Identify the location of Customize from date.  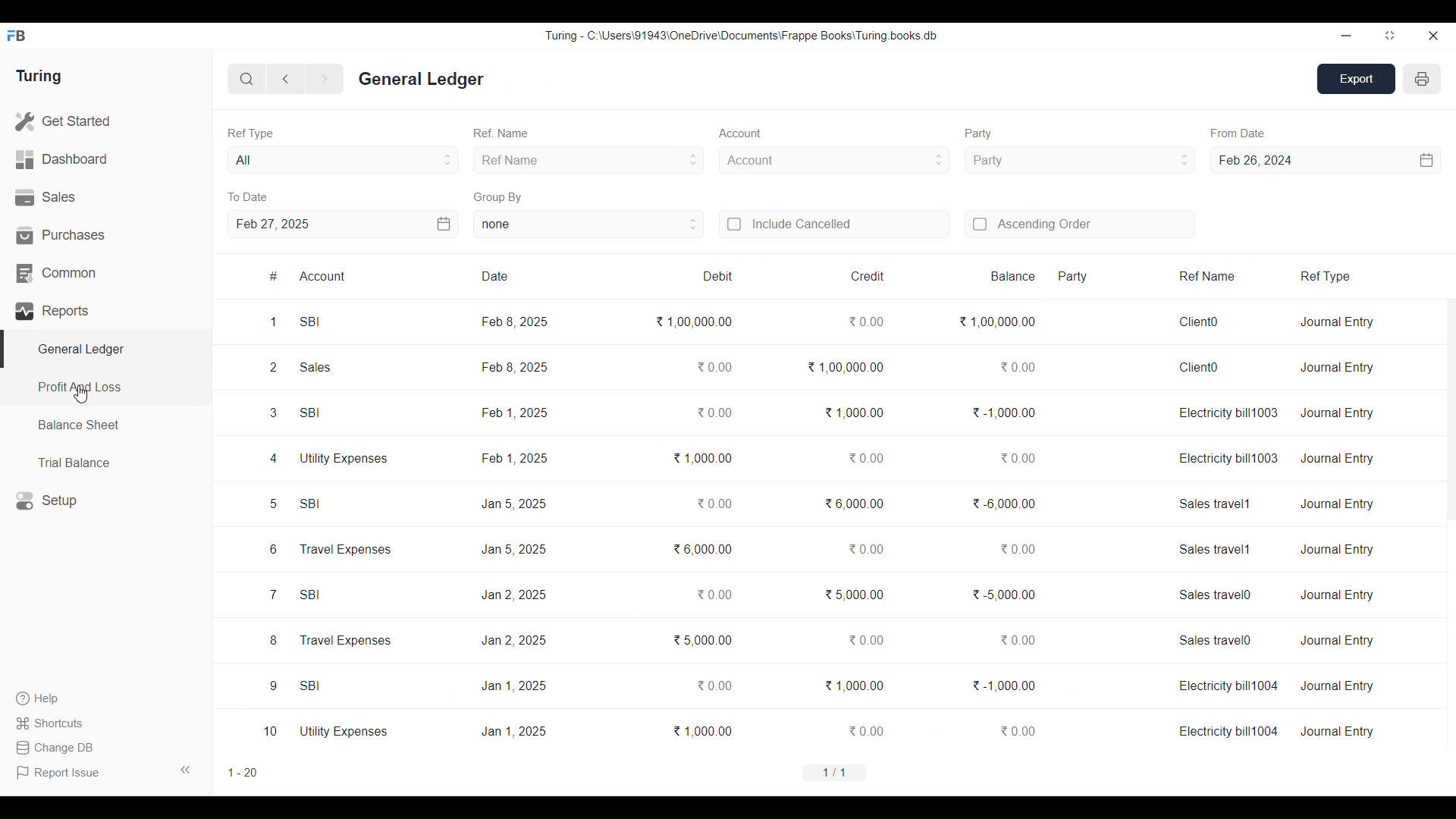
(1369, 160).